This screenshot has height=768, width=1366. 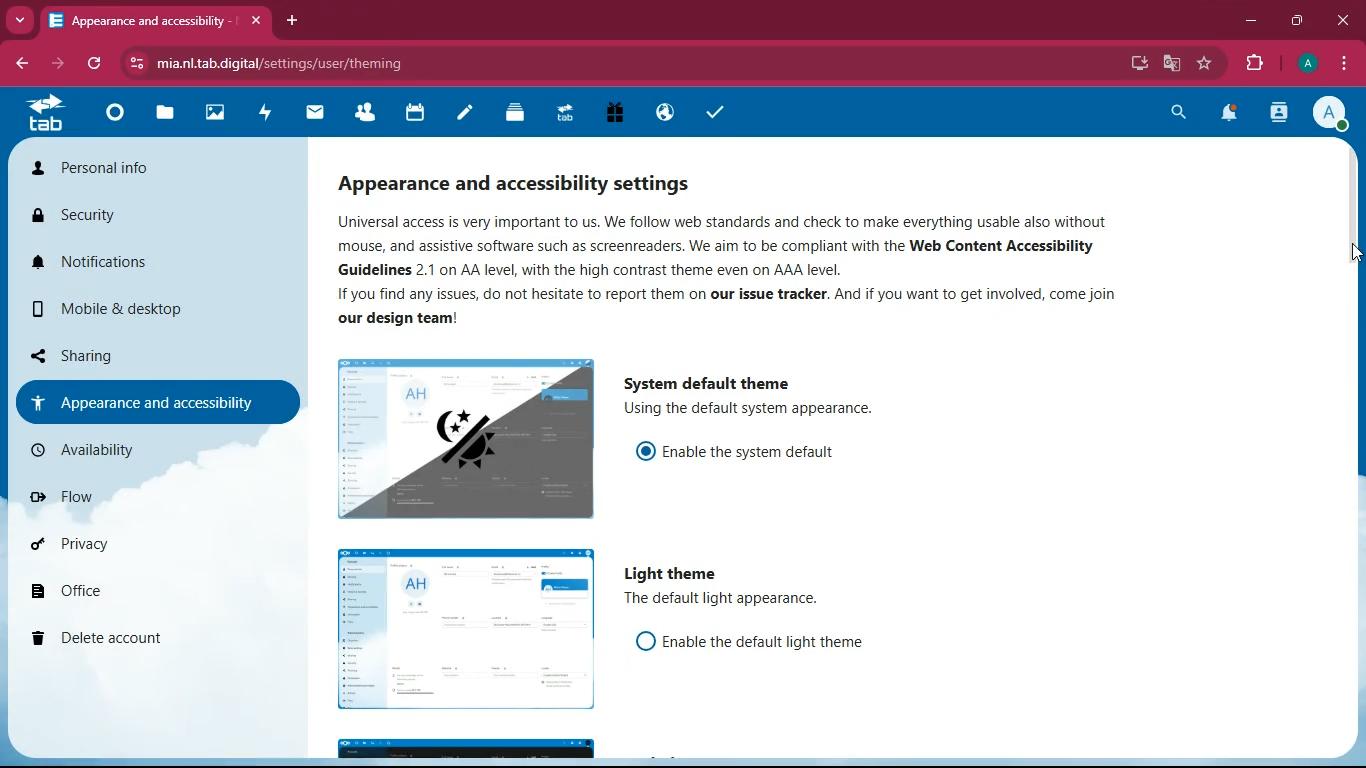 I want to click on appearance, so click(x=150, y=404).